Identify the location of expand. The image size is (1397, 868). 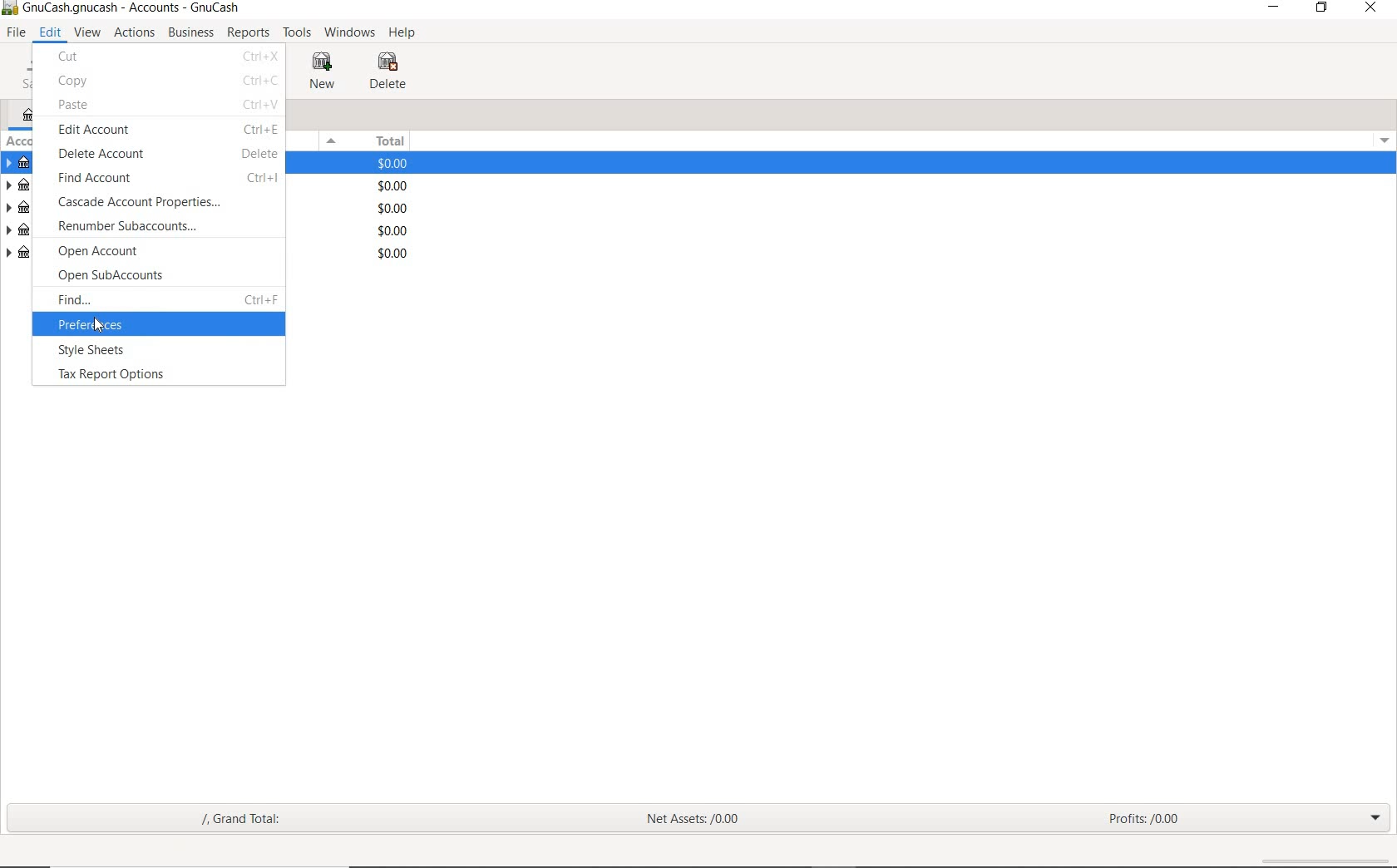
(1376, 818).